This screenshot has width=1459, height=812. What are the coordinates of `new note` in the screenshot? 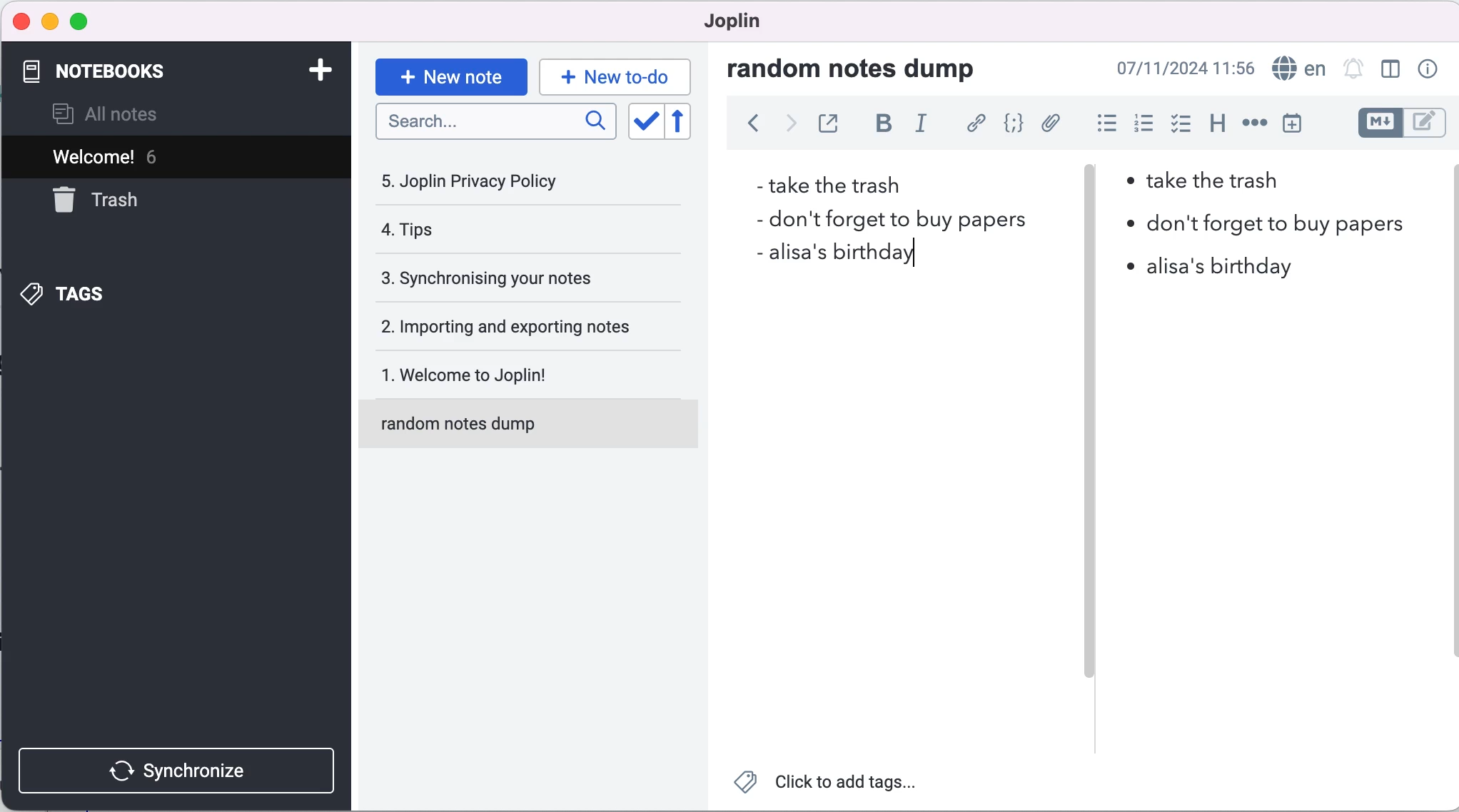 It's located at (450, 75).